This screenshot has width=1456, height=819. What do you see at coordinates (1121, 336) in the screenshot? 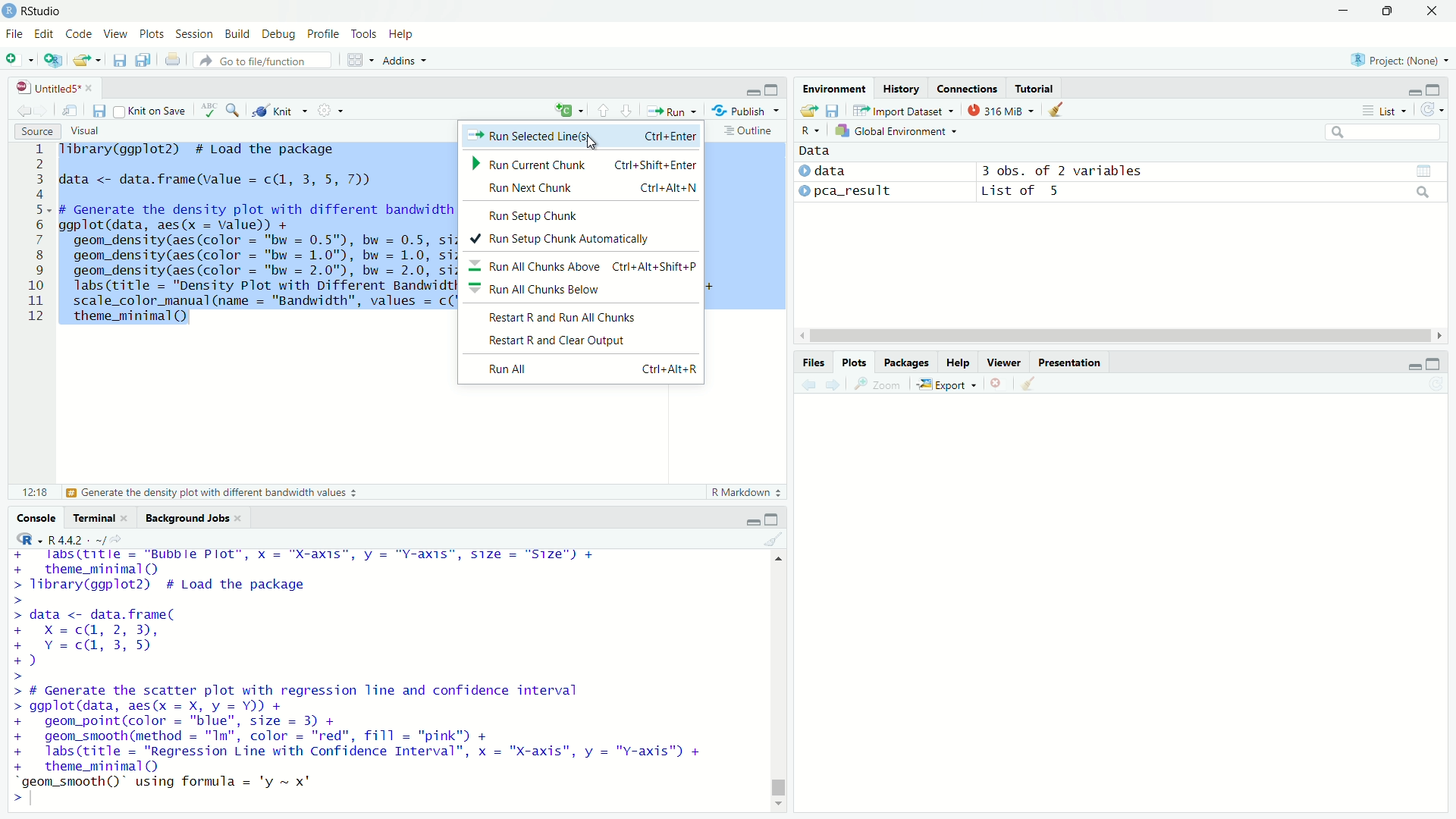
I see `horizontal scroll bar` at bounding box center [1121, 336].